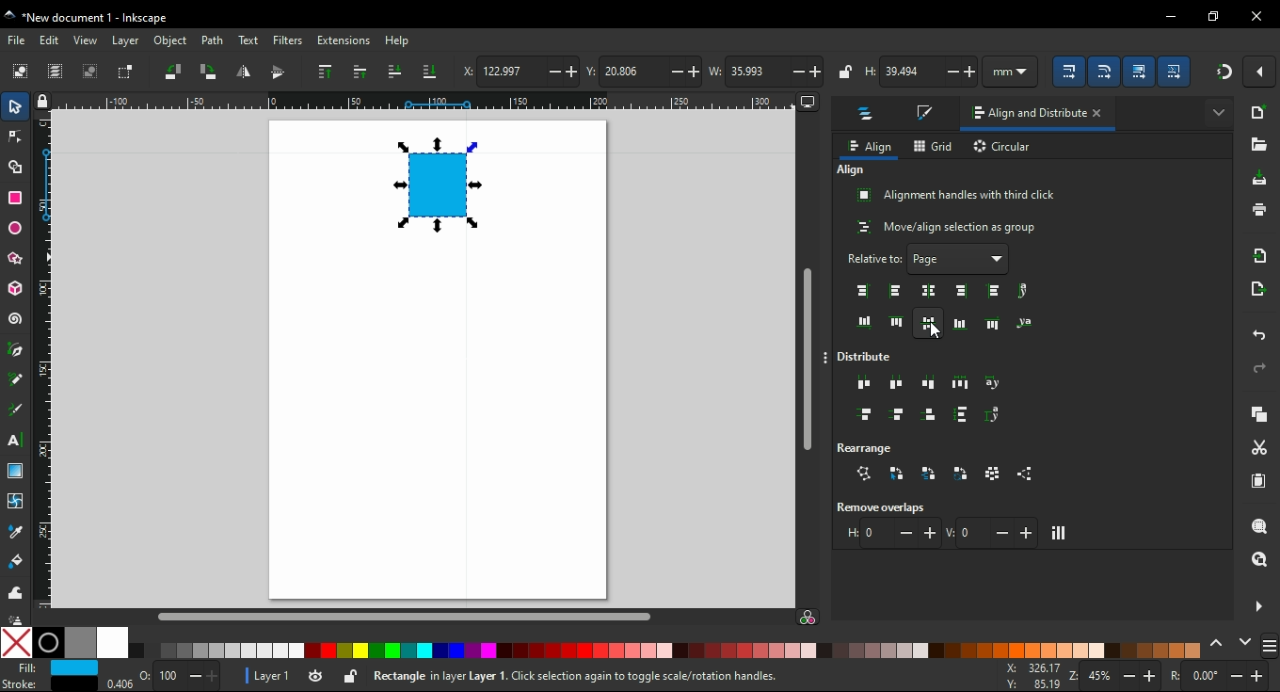  I want to click on minimum horizontal gap between bounding box, so click(891, 533).